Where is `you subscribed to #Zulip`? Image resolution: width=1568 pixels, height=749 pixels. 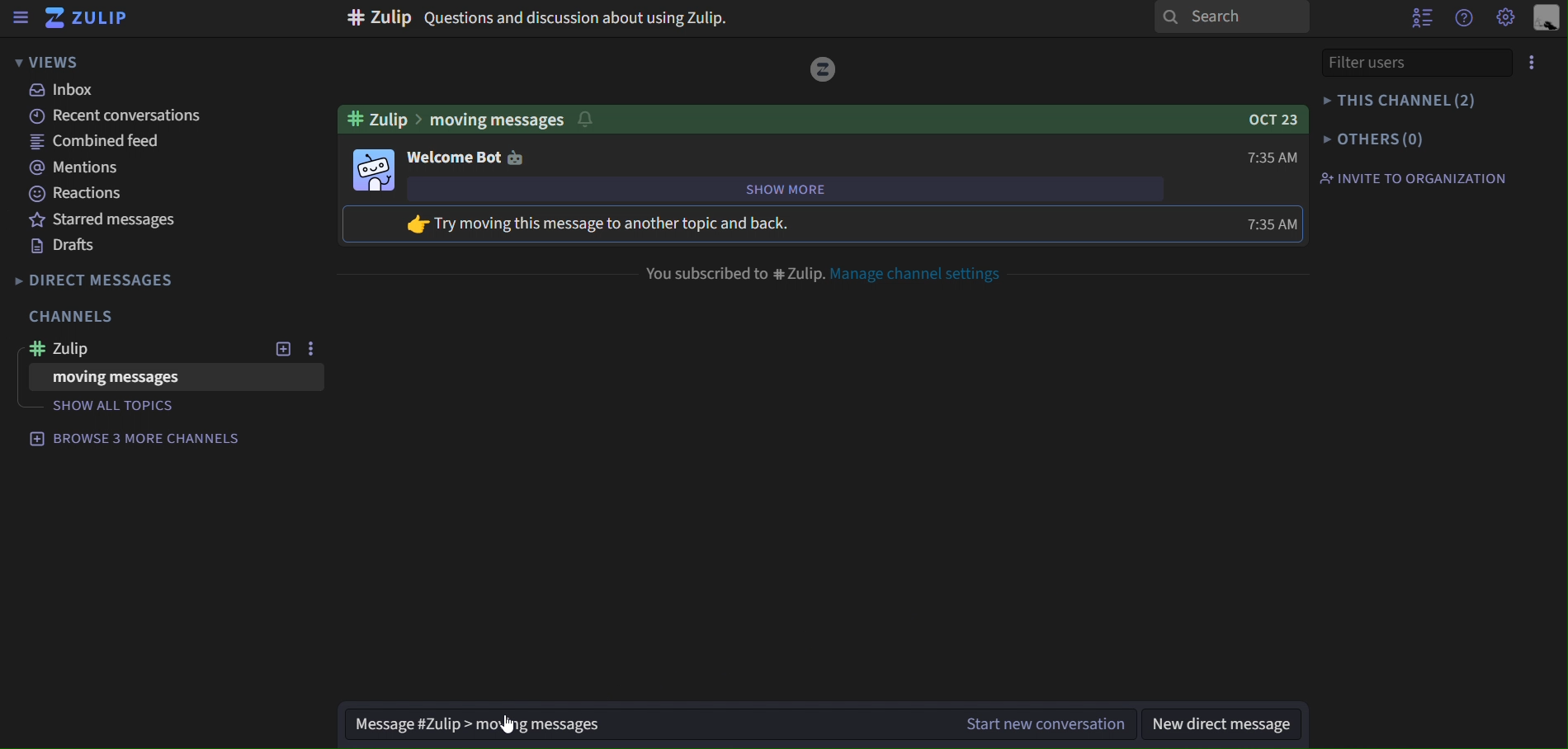 you subscribed to #Zulip is located at coordinates (732, 271).